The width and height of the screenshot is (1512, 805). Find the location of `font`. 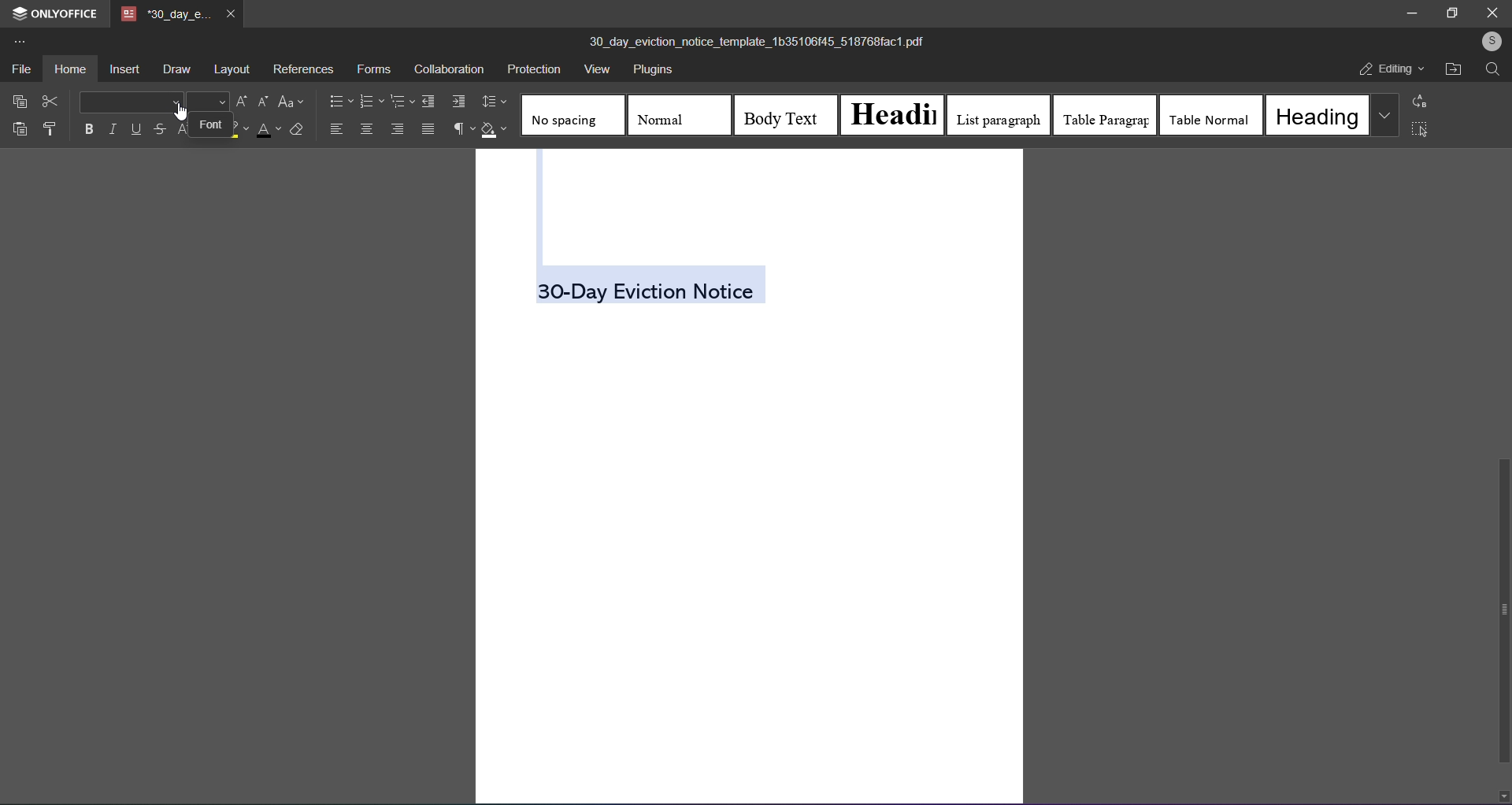

font is located at coordinates (212, 124).